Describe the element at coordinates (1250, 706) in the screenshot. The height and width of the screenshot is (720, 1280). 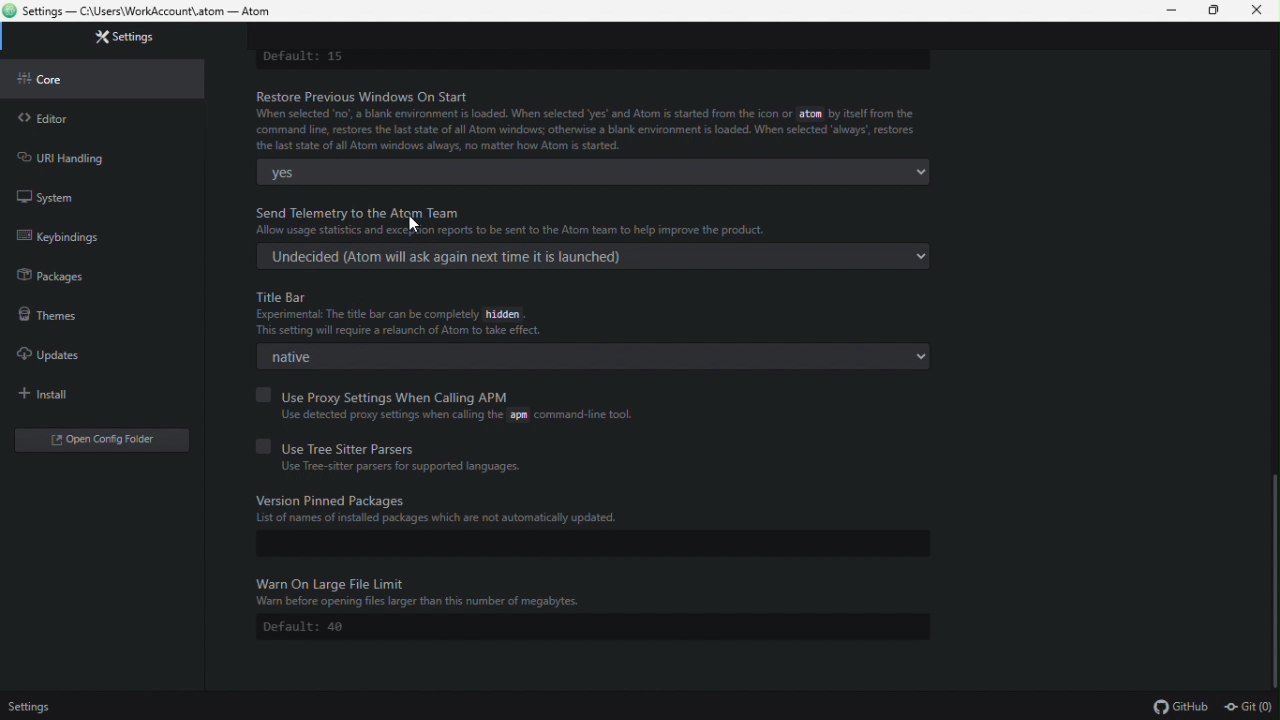
I see `git` at that location.